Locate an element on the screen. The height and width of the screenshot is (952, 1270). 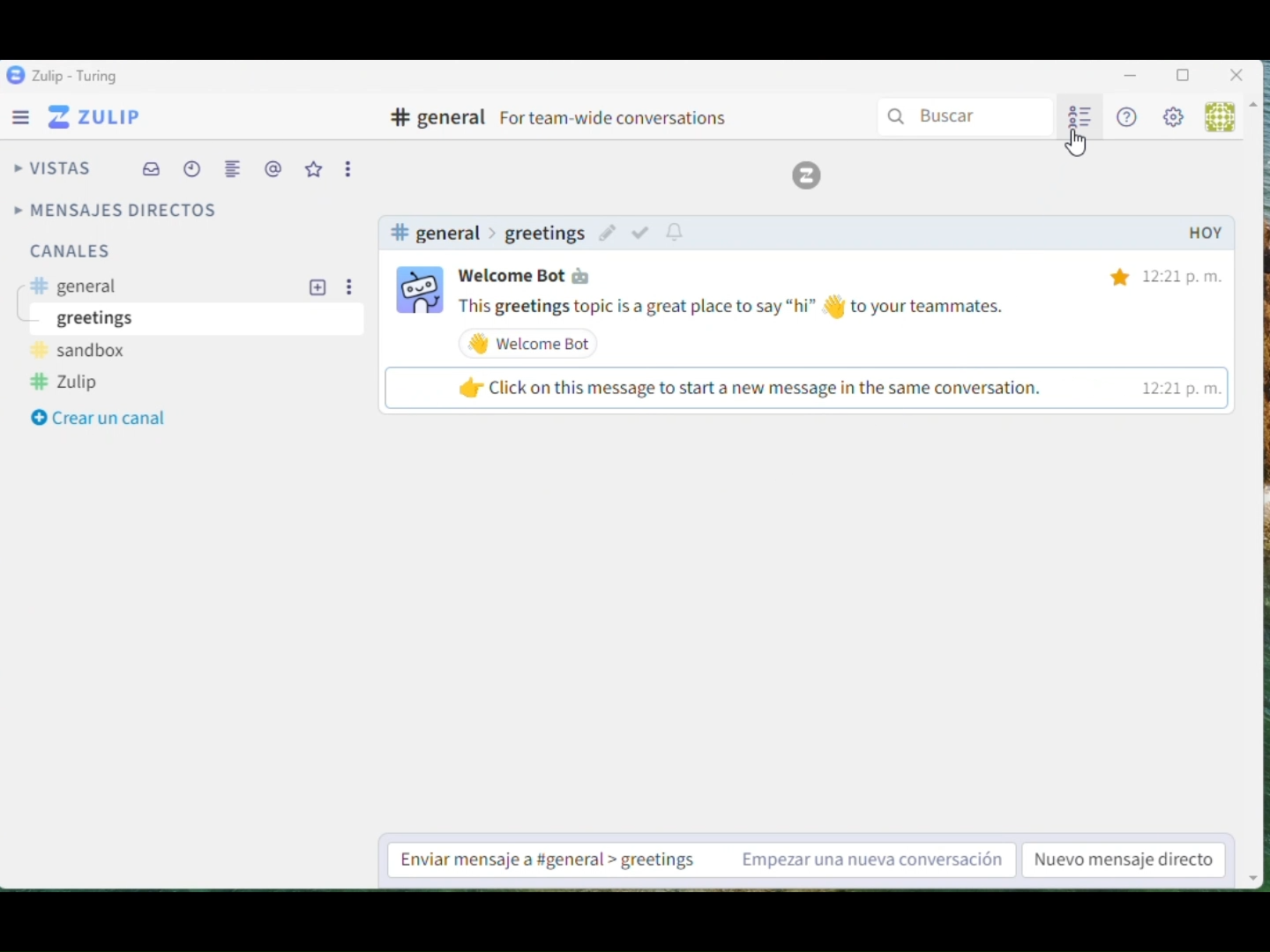
Settings is located at coordinates (1176, 116).